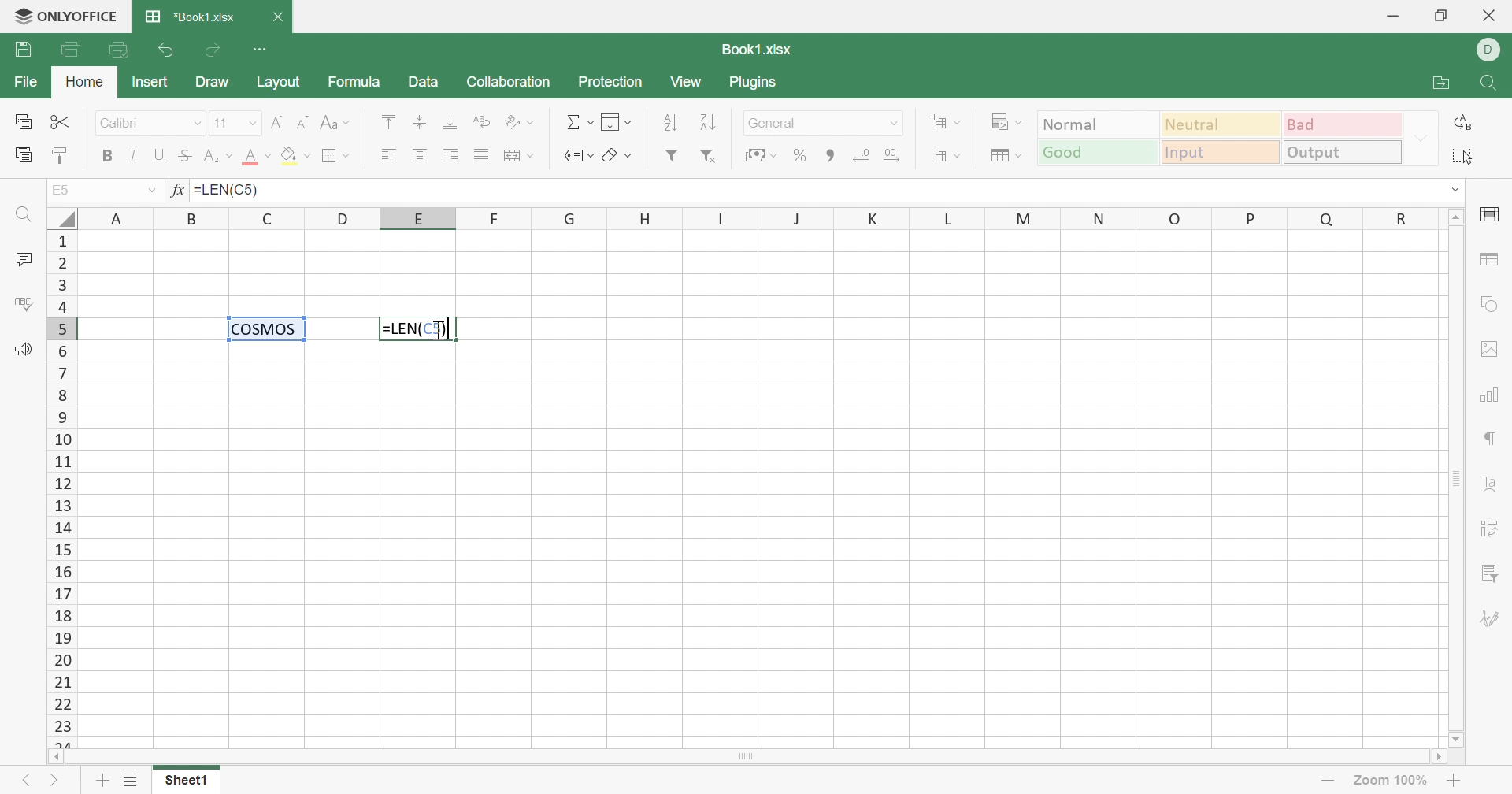  Describe the element at coordinates (150, 191) in the screenshot. I see `Drop Down` at that location.